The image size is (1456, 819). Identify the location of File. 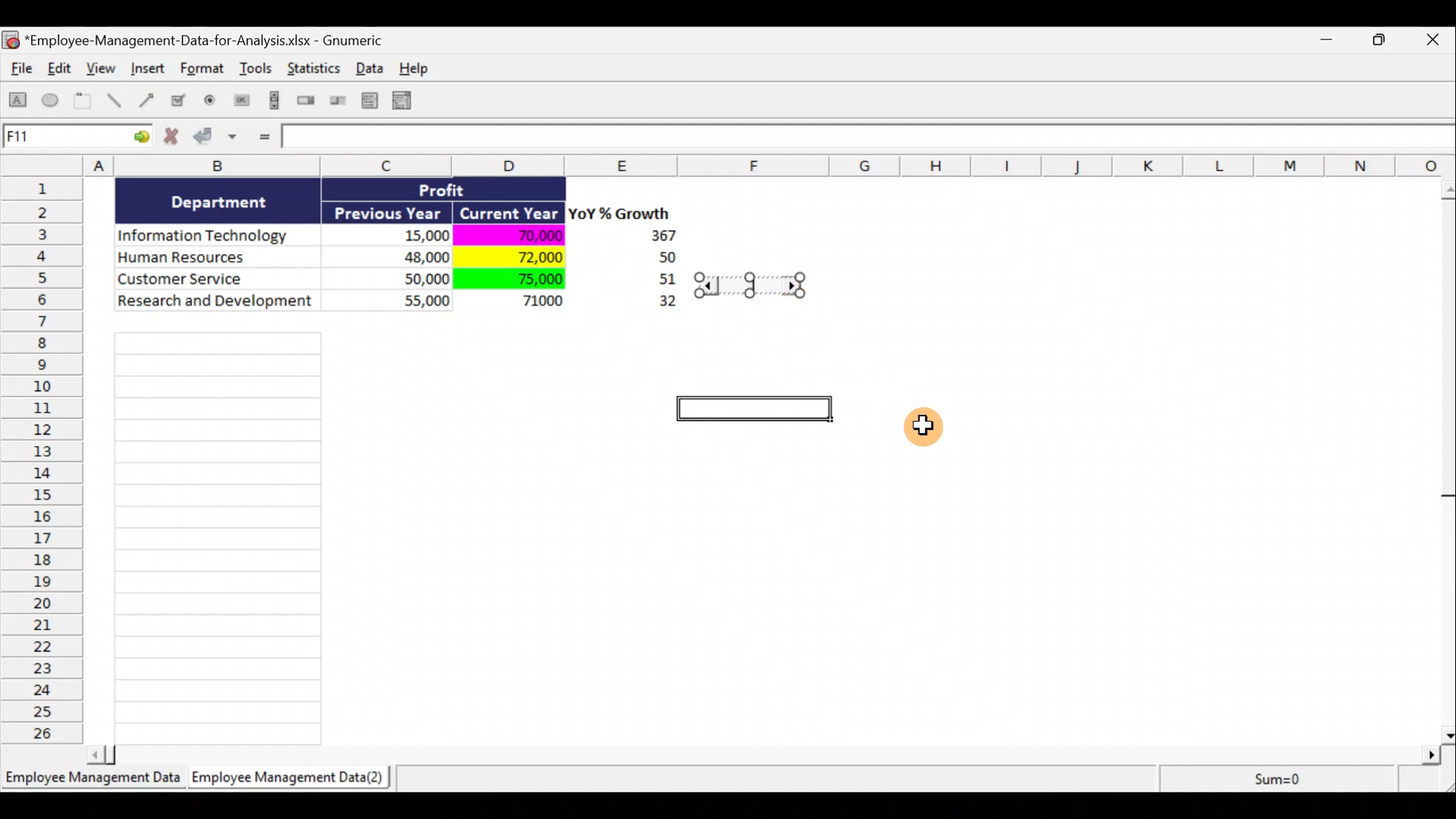
(18, 71).